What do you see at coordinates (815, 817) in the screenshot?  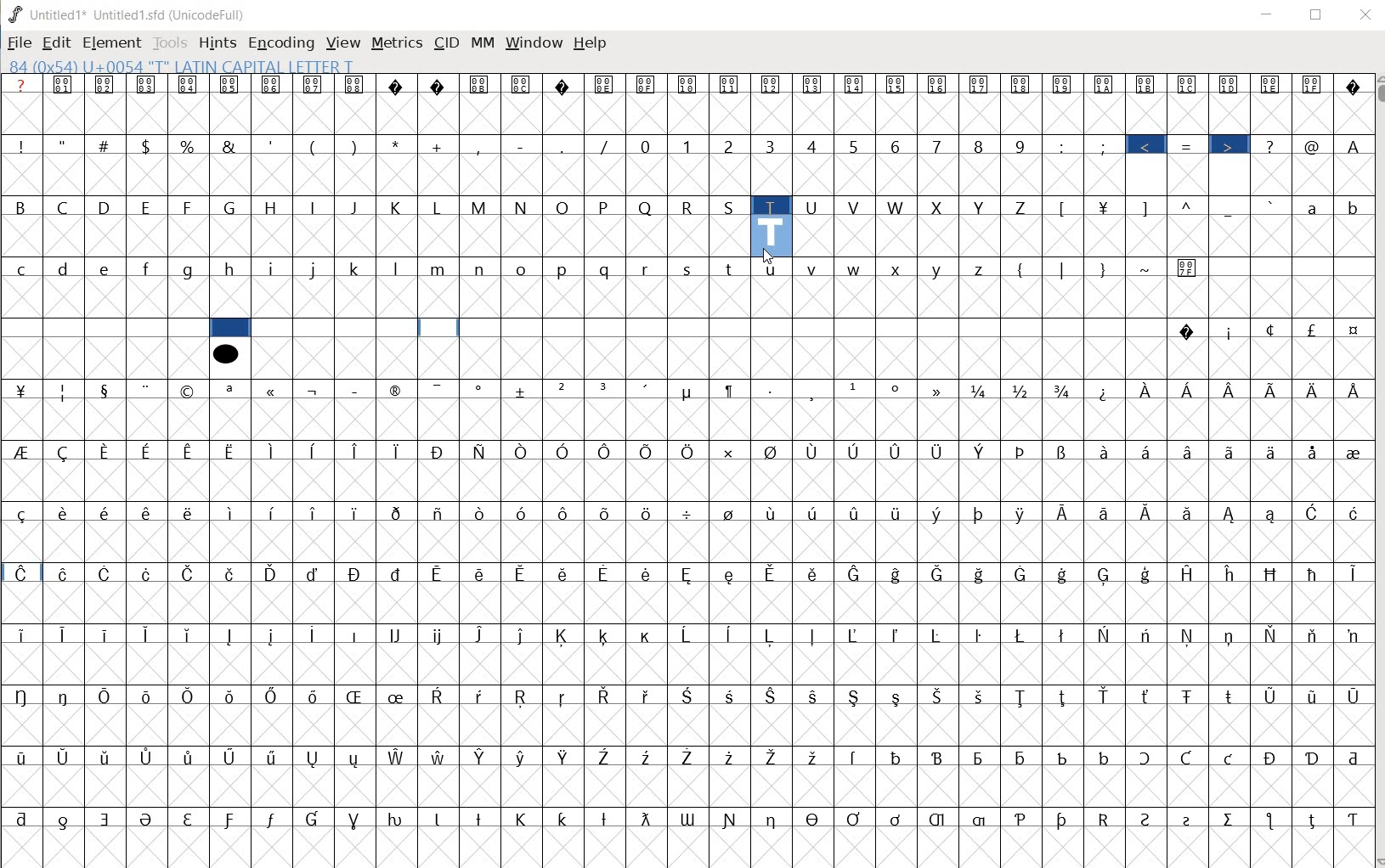 I see `Symbol` at bounding box center [815, 817].